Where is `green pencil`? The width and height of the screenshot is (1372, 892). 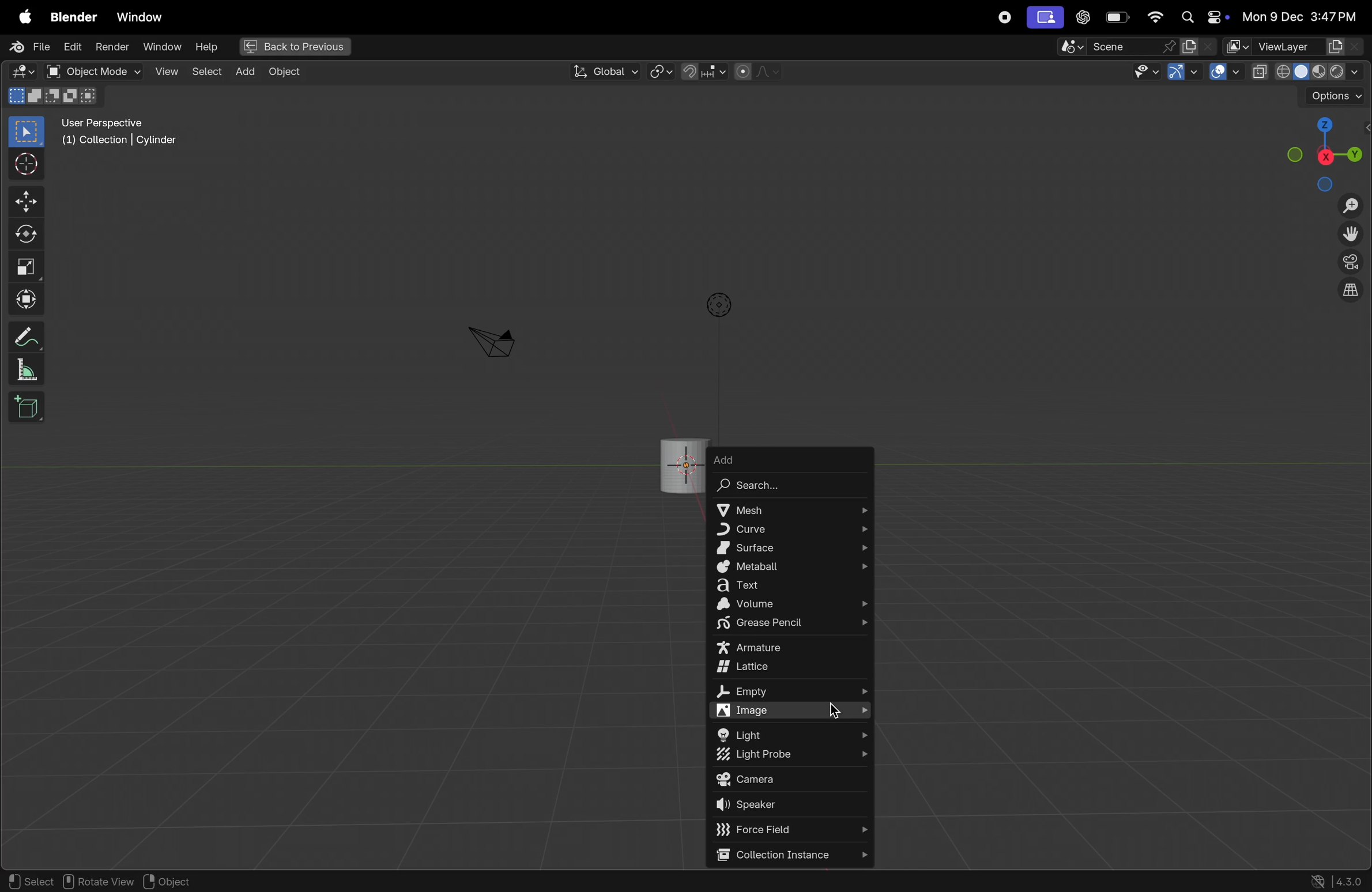
green pencil is located at coordinates (791, 625).